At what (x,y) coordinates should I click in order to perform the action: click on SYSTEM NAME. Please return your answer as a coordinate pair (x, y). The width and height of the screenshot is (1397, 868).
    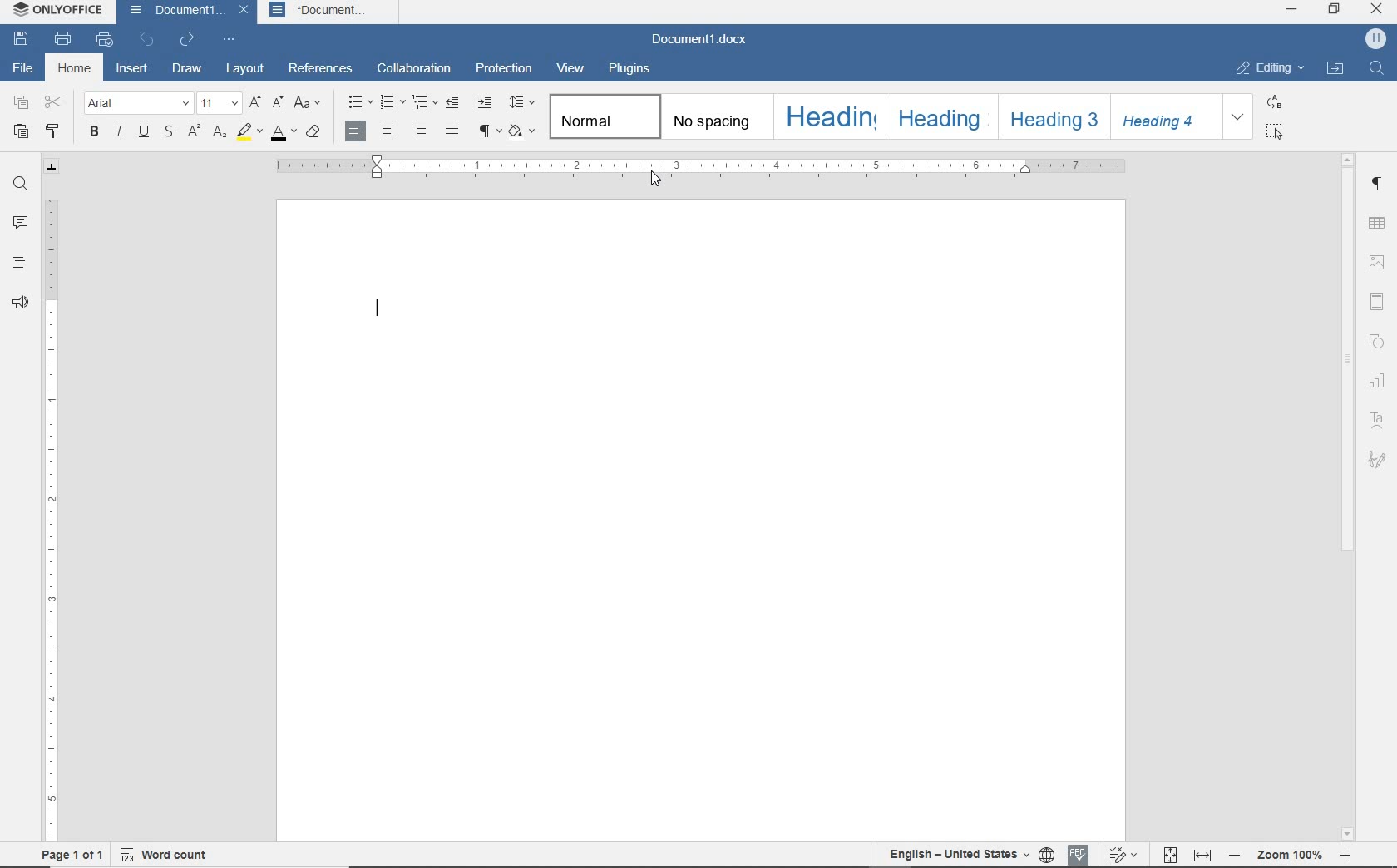
    Looking at the image, I should click on (59, 12).